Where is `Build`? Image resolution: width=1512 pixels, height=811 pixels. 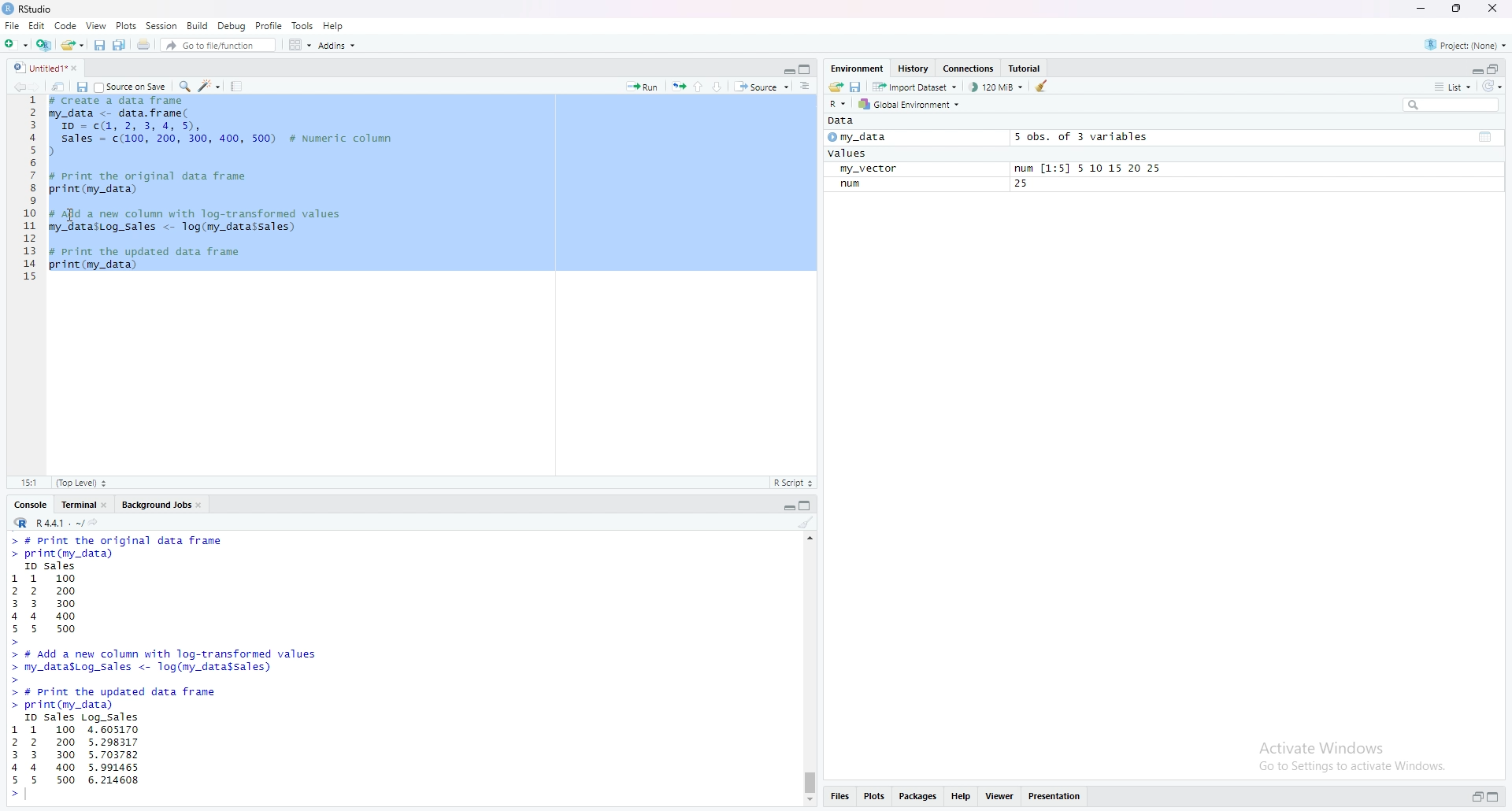
Build is located at coordinates (198, 25).